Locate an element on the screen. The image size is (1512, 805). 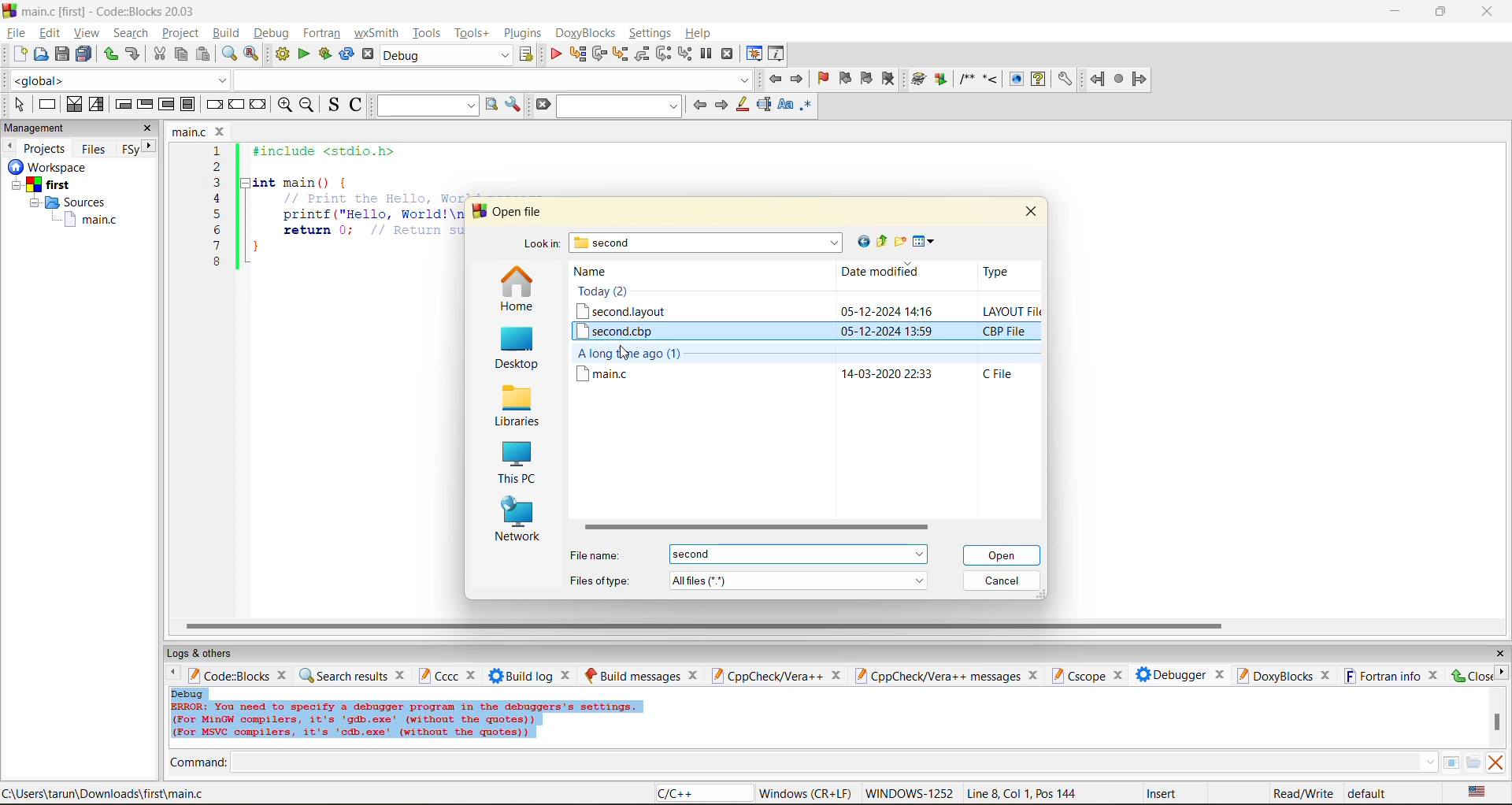
help is located at coordinates (1038, 79).